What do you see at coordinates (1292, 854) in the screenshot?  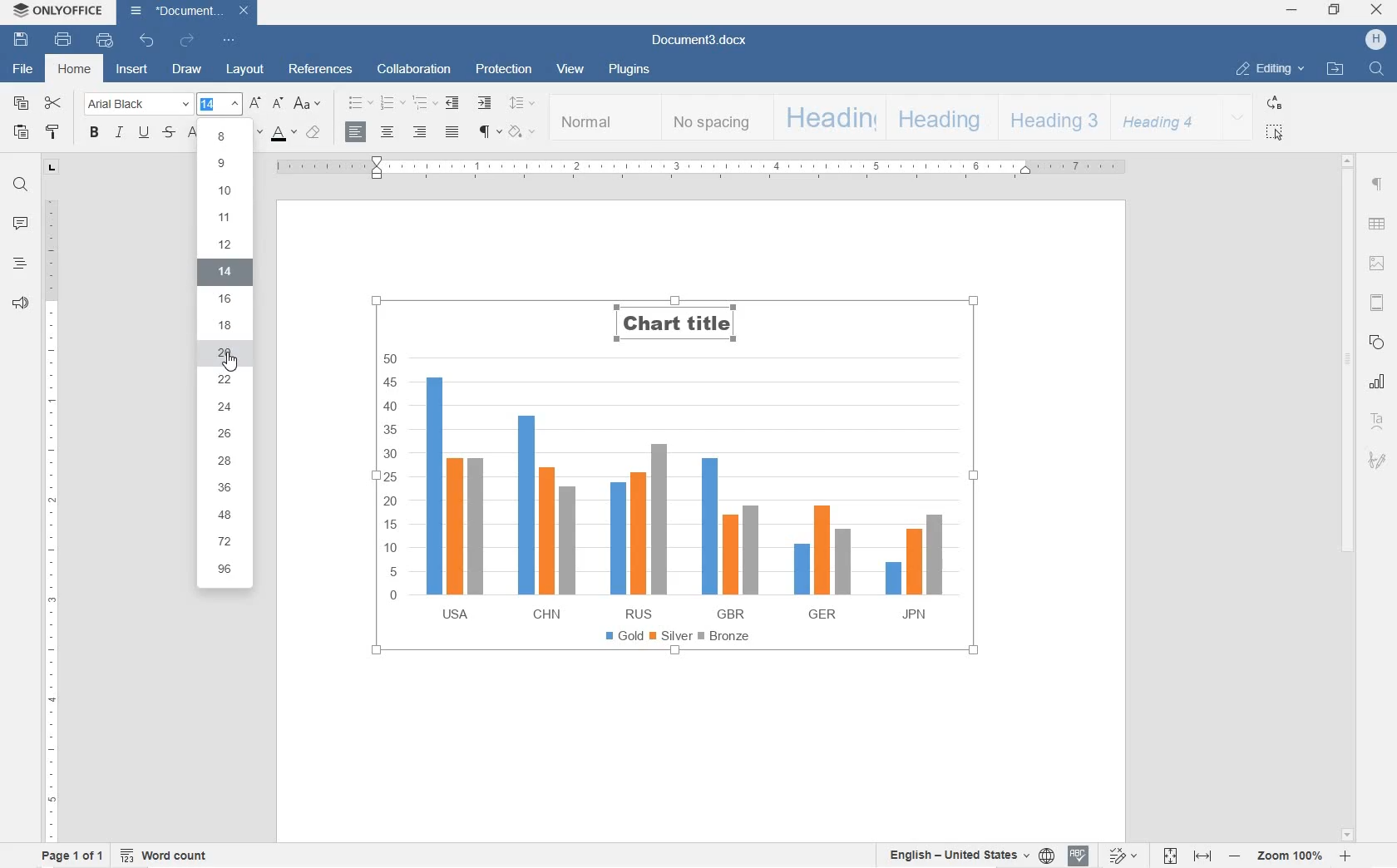 I see `ZOOM IN OR OUT` at bounding box center [1292, 854].